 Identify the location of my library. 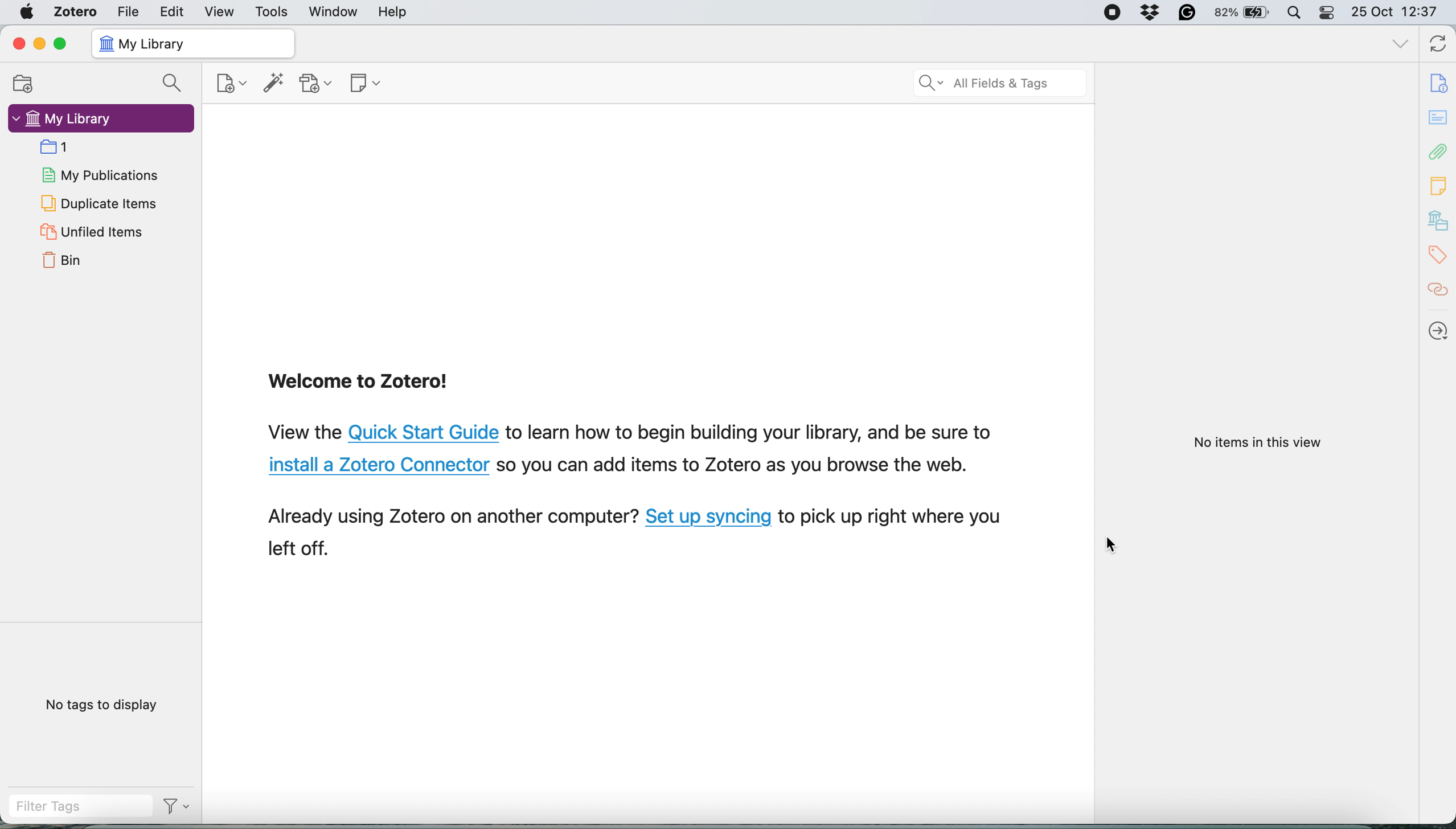
(63, 119).